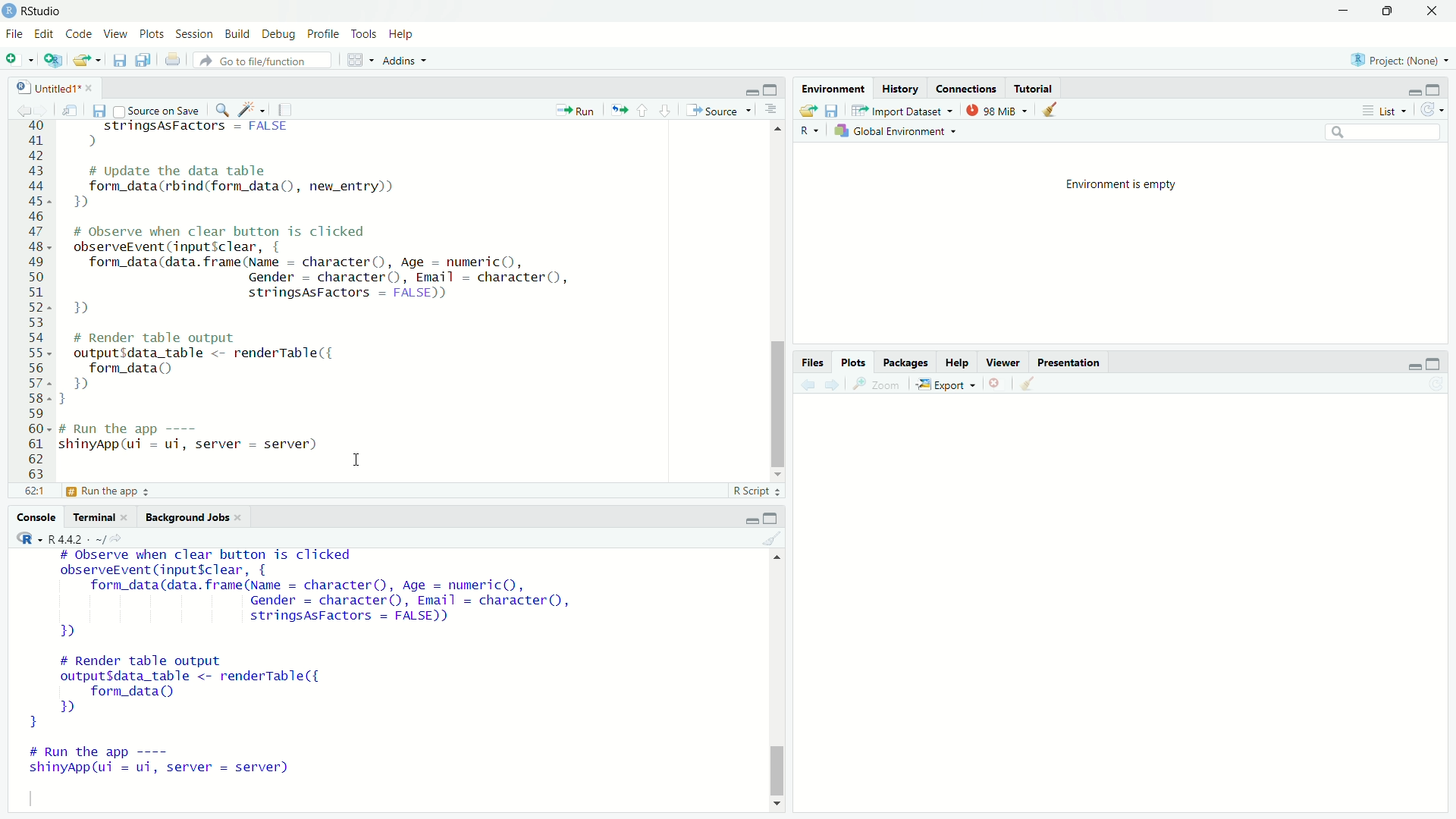  I want to click on R script, so click(757, 493).